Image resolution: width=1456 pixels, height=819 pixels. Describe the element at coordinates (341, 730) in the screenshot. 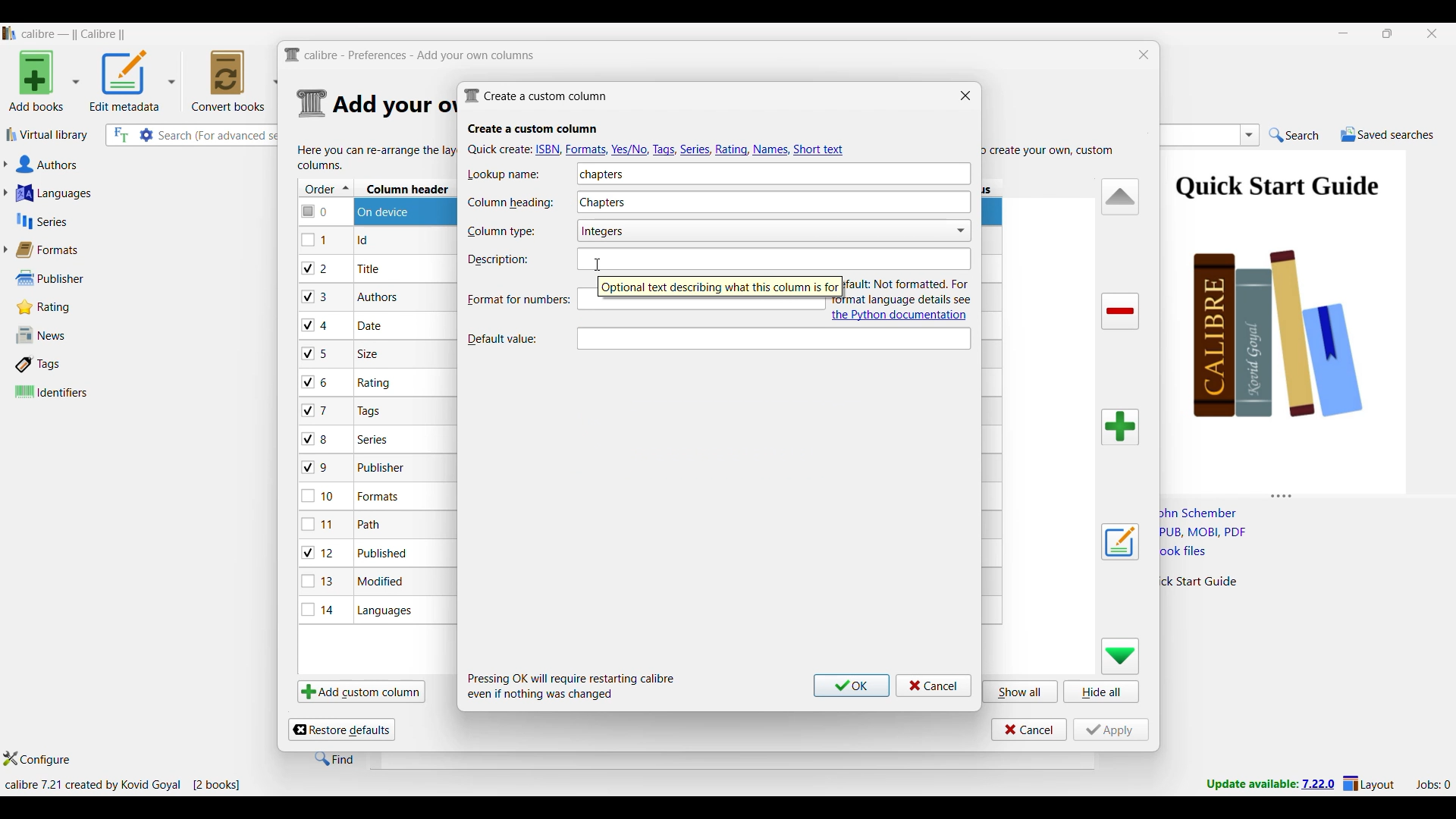

I see `Restore defaults` at that location.